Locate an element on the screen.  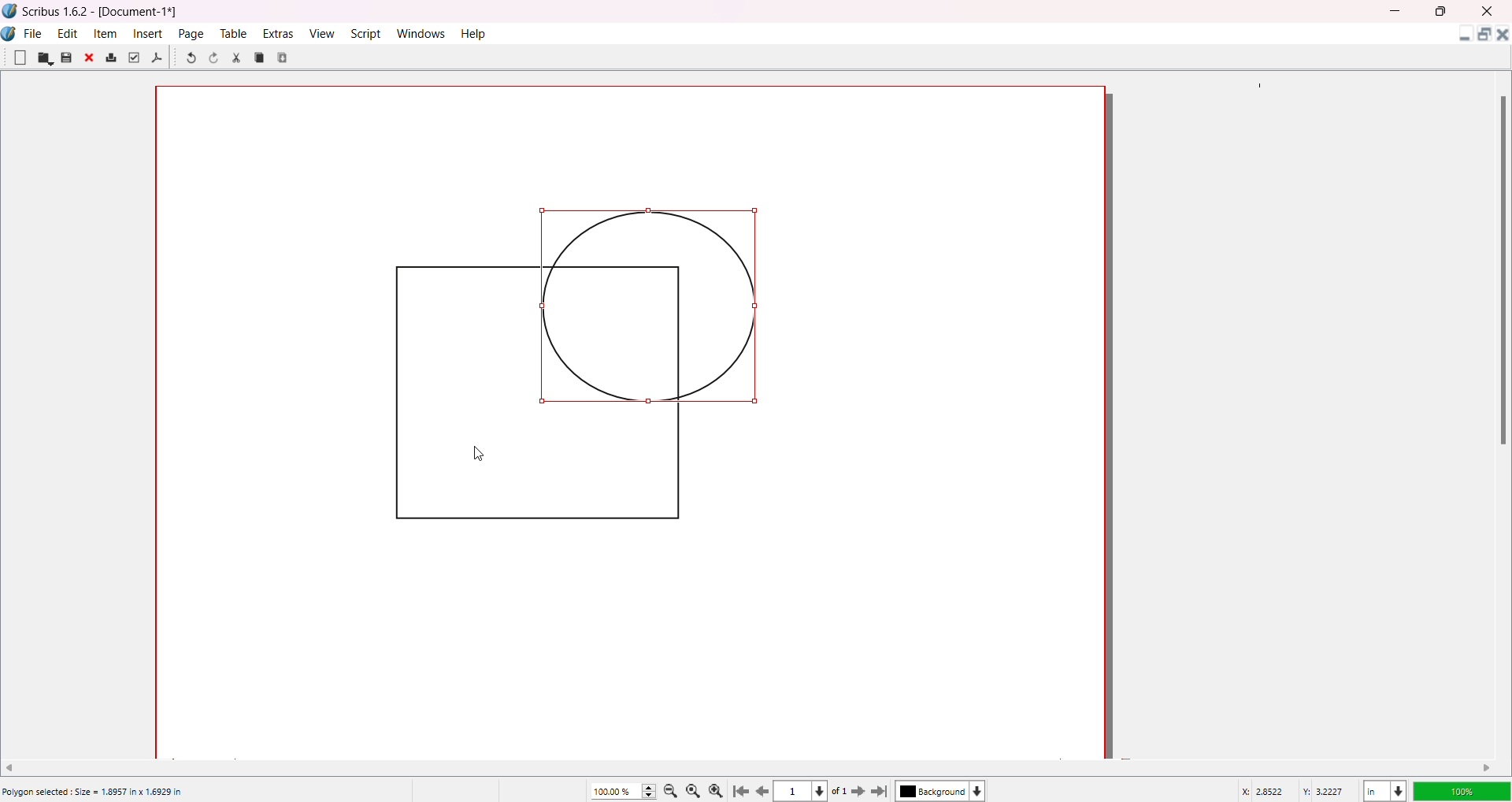
Total Page is located at coordinates (844, 792).